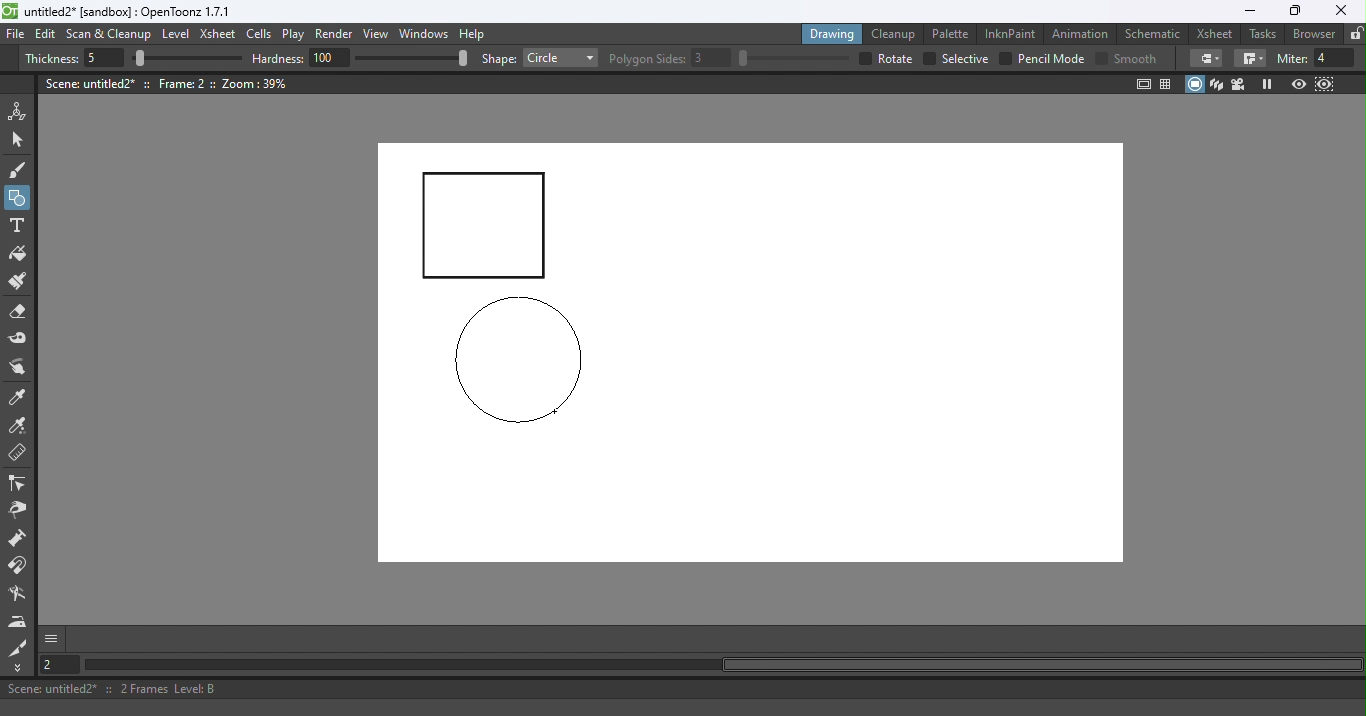 The height and width of the screenshot is (716, 1366). I want to click on Magnet tool, so click(19, 540).